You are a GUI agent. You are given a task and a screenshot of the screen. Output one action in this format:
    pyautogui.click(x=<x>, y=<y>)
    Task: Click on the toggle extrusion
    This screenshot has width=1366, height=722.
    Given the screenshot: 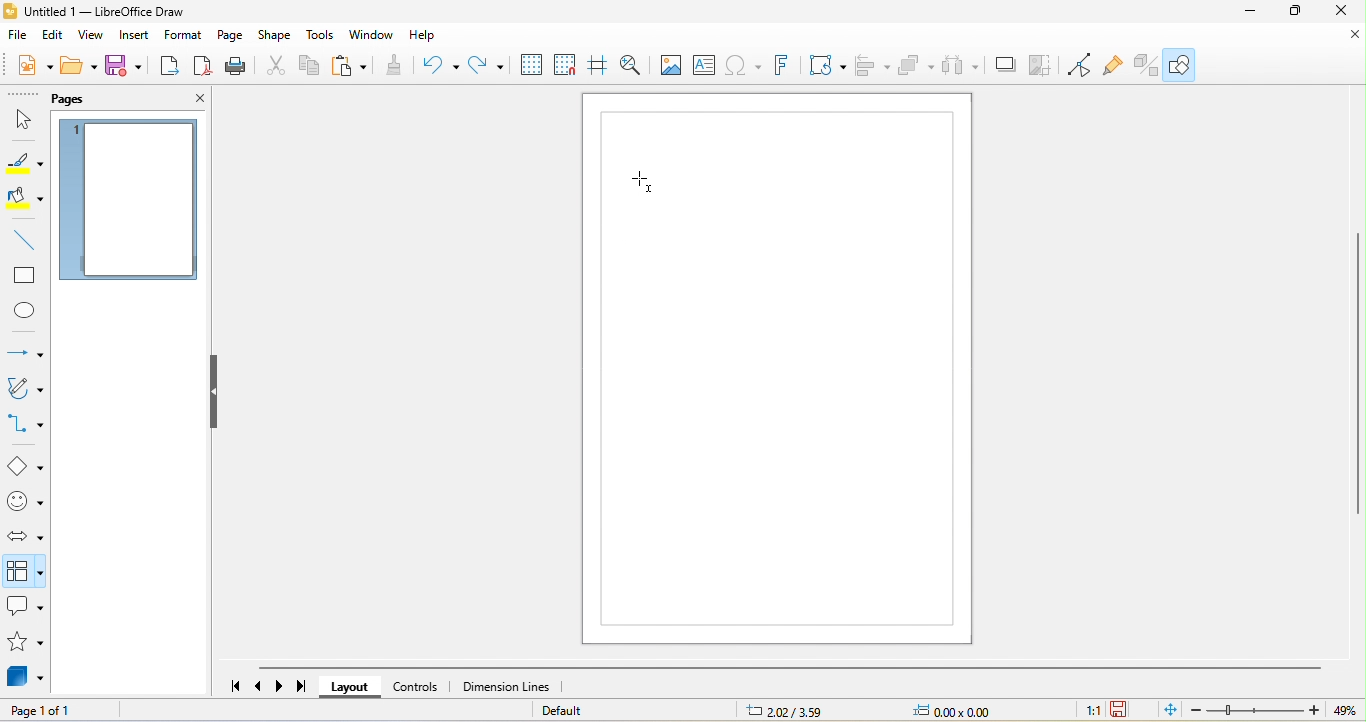 What is the action you would take?
    pyautogui.click(x=1148, y=66)
    